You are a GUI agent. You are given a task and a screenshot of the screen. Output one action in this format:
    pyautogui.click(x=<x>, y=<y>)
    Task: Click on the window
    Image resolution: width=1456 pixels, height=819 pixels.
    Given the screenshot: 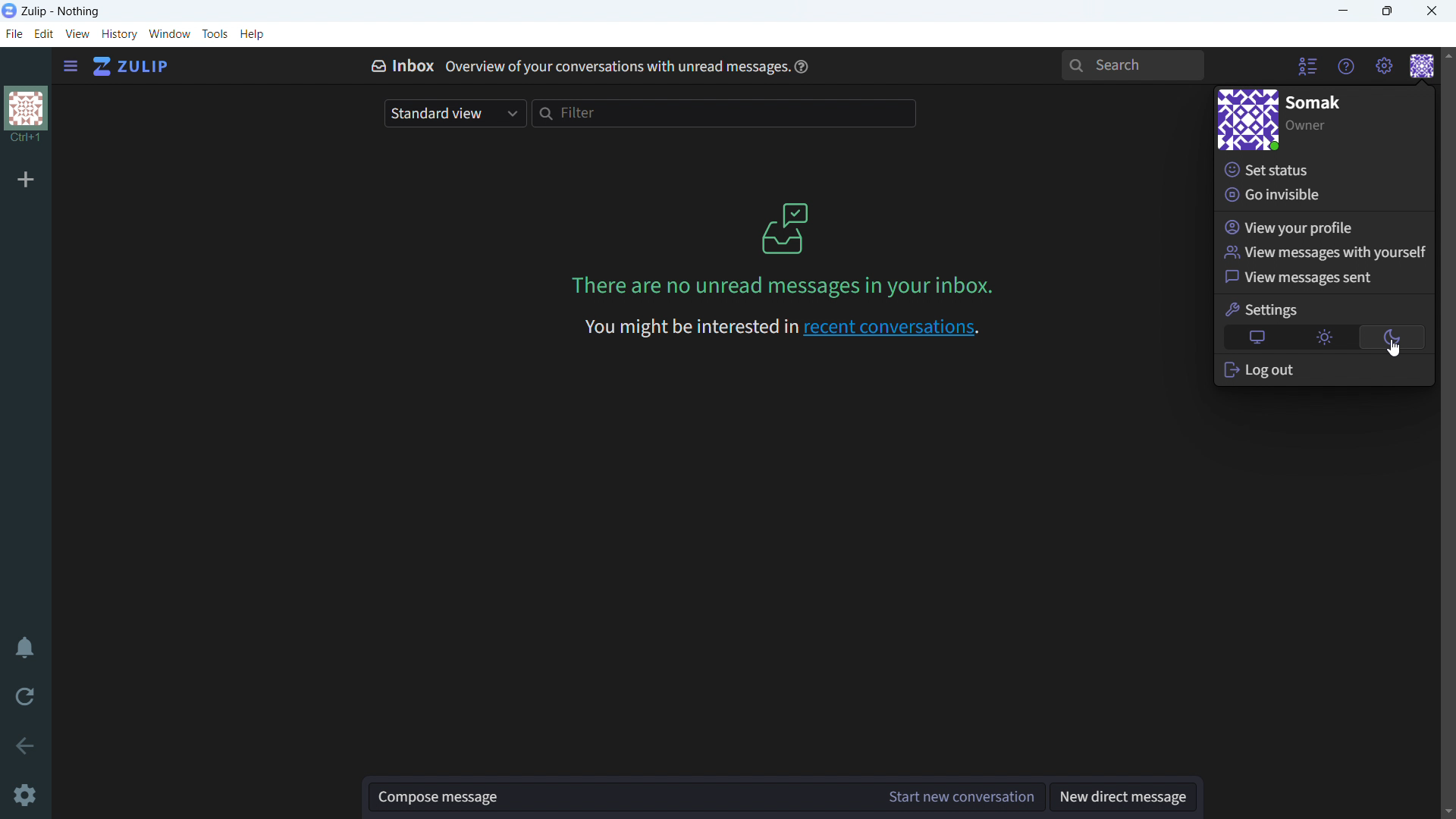 What is the action you would take?
    pyautogui.click(x=170, y=34)
    